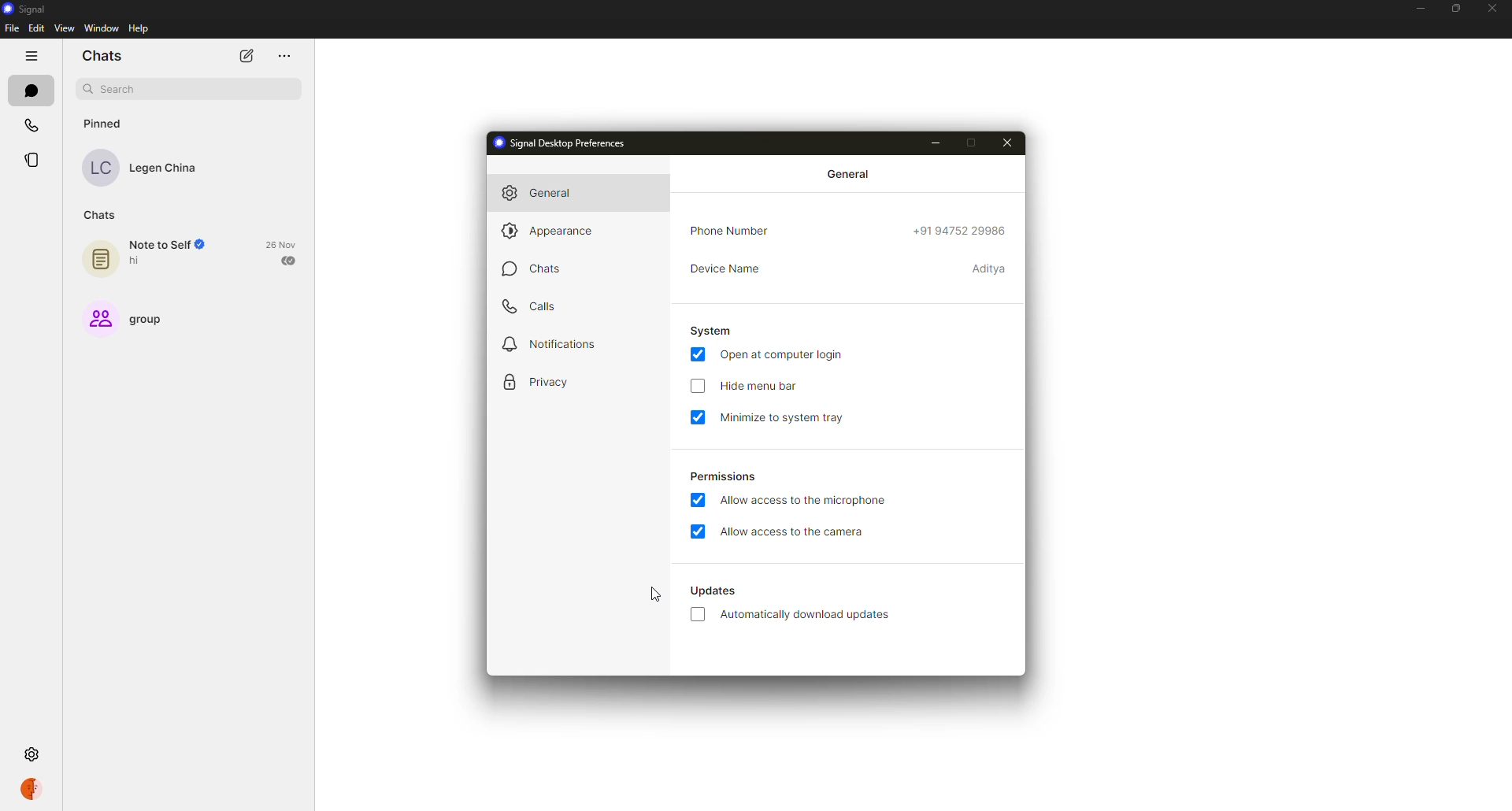 The height and width of the screenshot is (811, 1512). I want to click on Legen China, so click(141, 170).